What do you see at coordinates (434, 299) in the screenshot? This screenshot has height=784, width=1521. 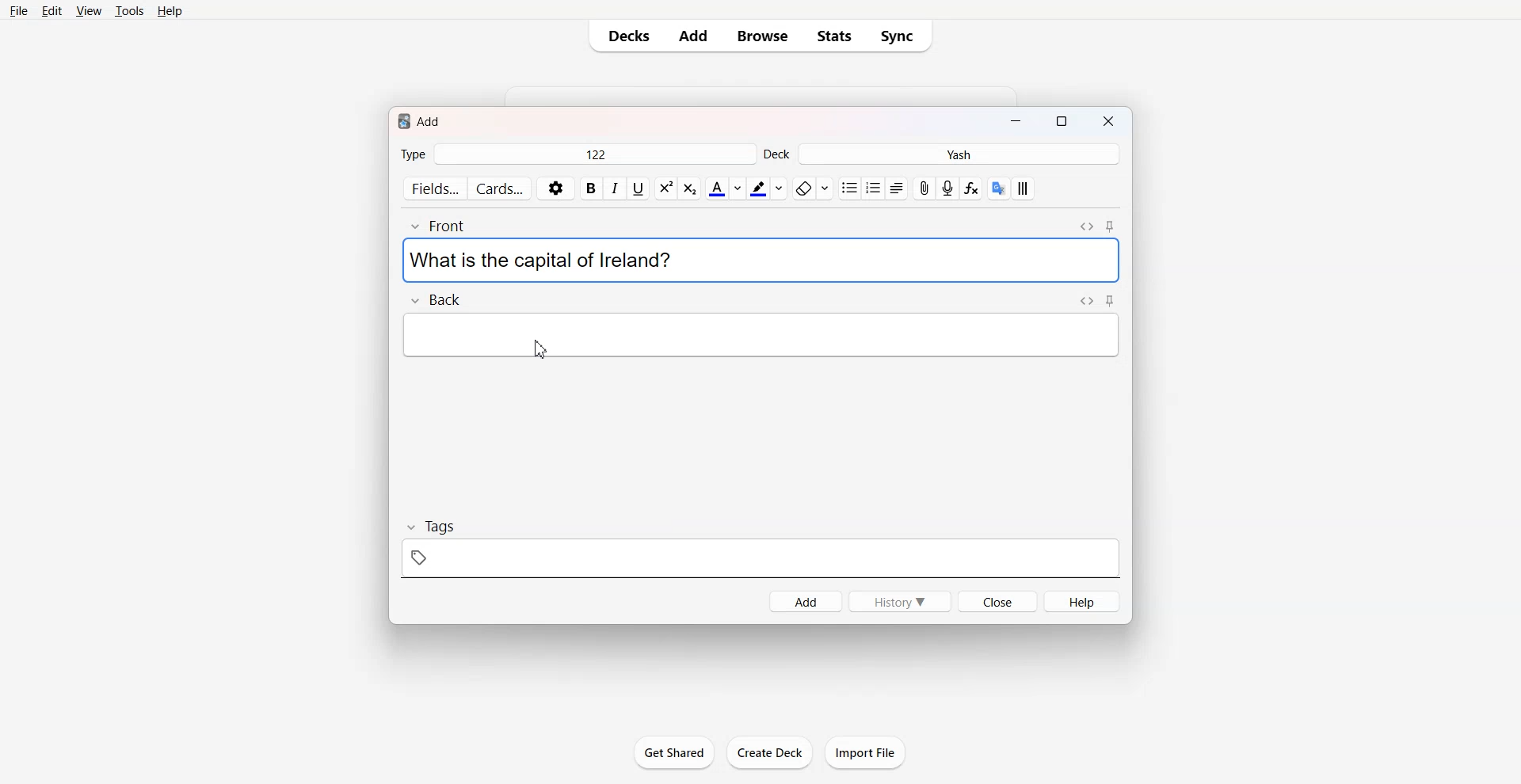 I see `Back` at bounding box center [434, 299].